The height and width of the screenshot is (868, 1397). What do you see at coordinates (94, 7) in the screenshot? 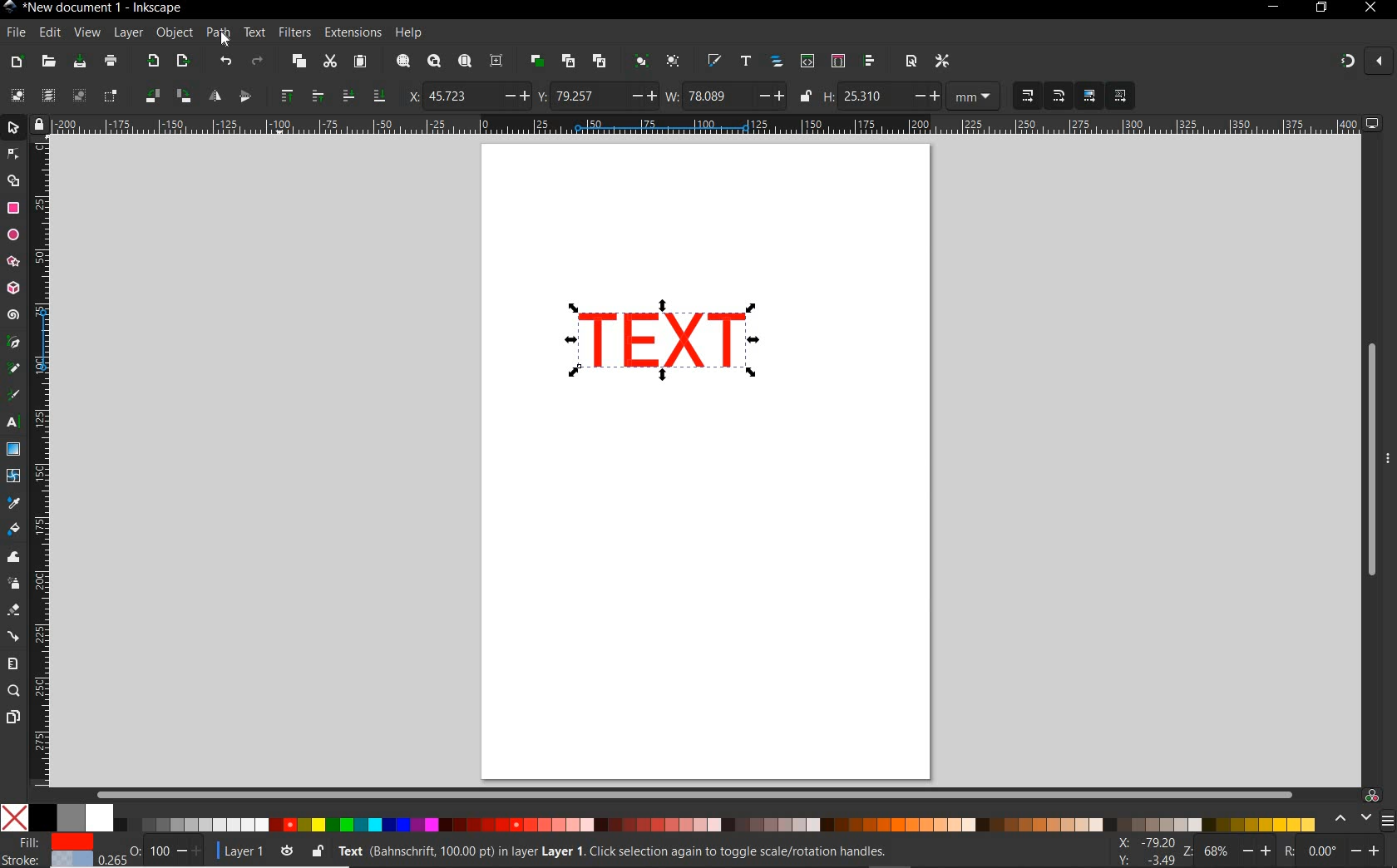
I see `FILE NAME` at bounding box center [94, 7].